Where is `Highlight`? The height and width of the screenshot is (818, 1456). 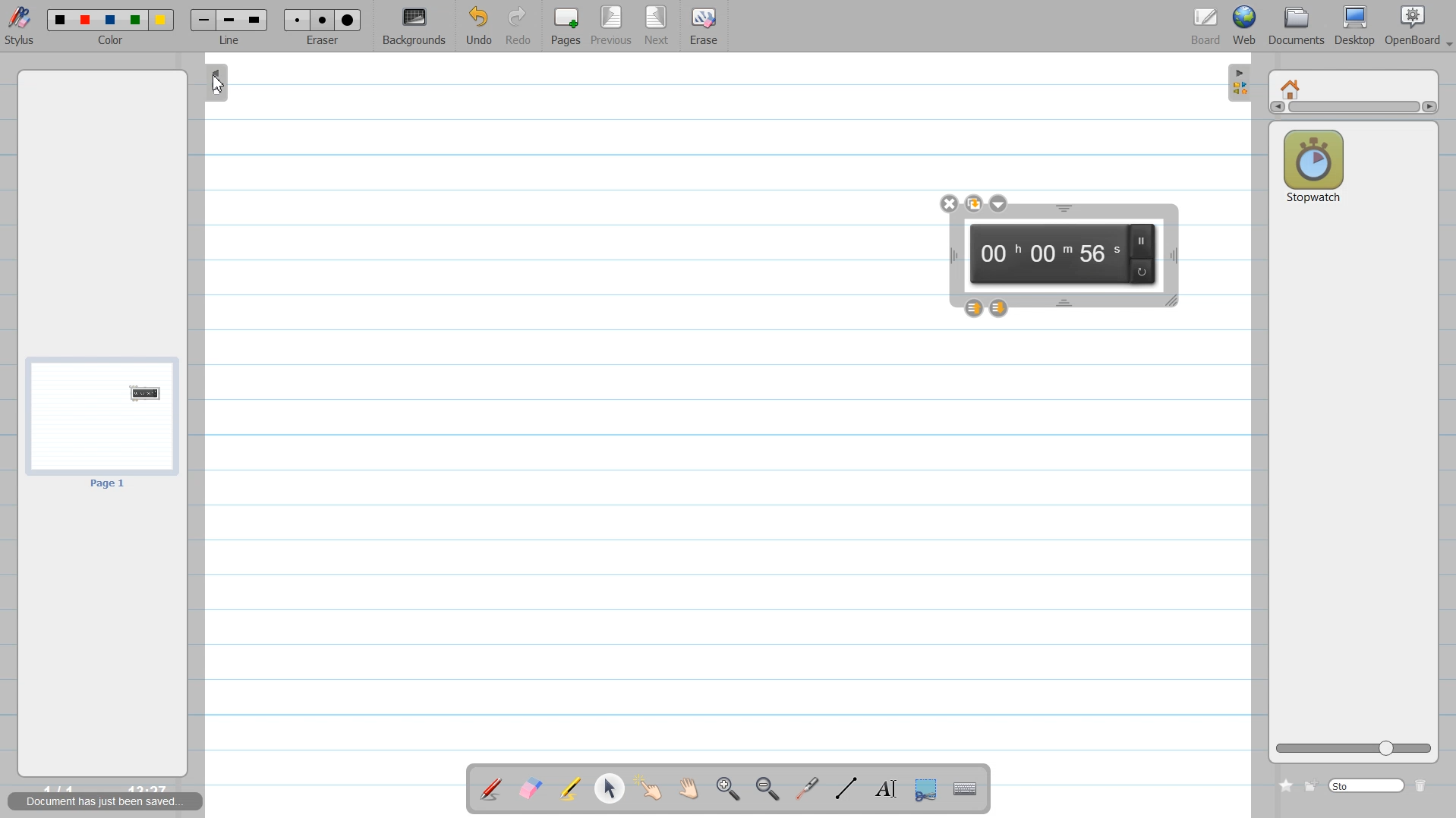 Highlight is located at coordinates (571, 788).